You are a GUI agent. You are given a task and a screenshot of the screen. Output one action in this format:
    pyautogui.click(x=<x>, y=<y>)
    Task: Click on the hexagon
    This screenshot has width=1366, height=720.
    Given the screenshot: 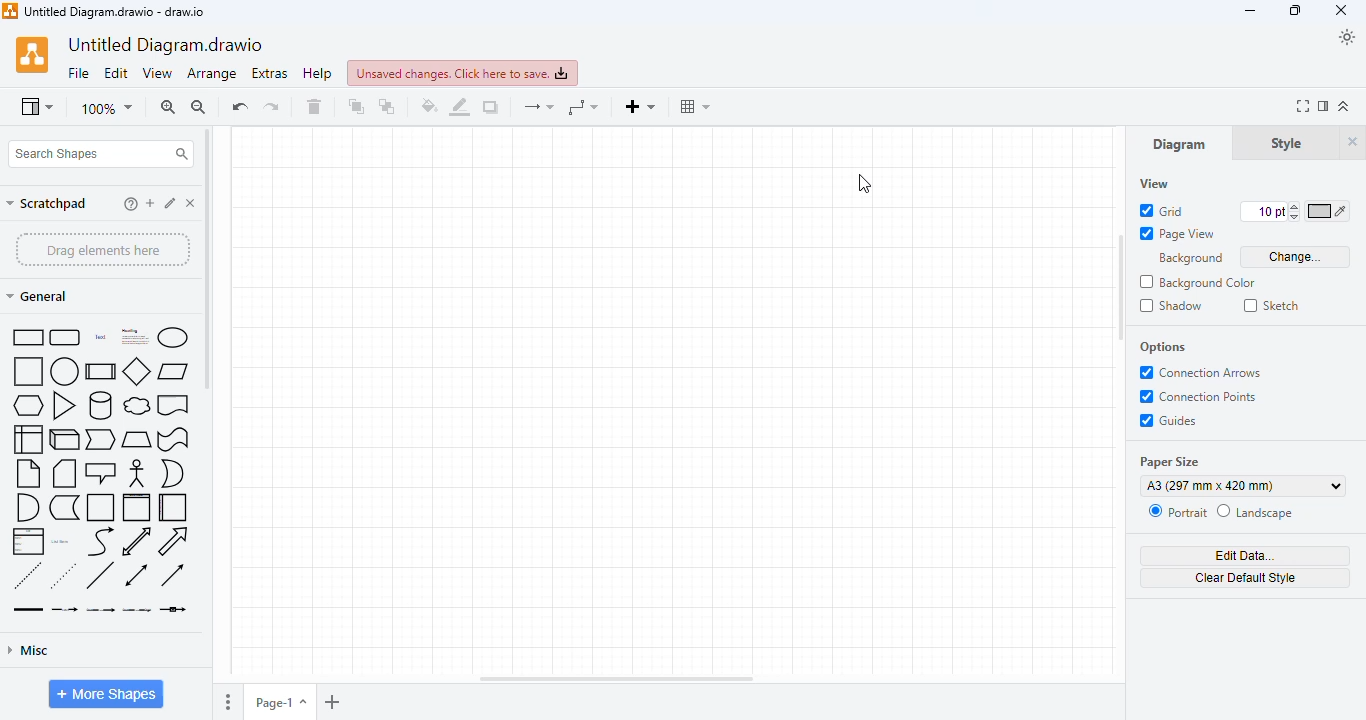 What is the action you would take?
    pyautogui.click(x=28, y=405)
    